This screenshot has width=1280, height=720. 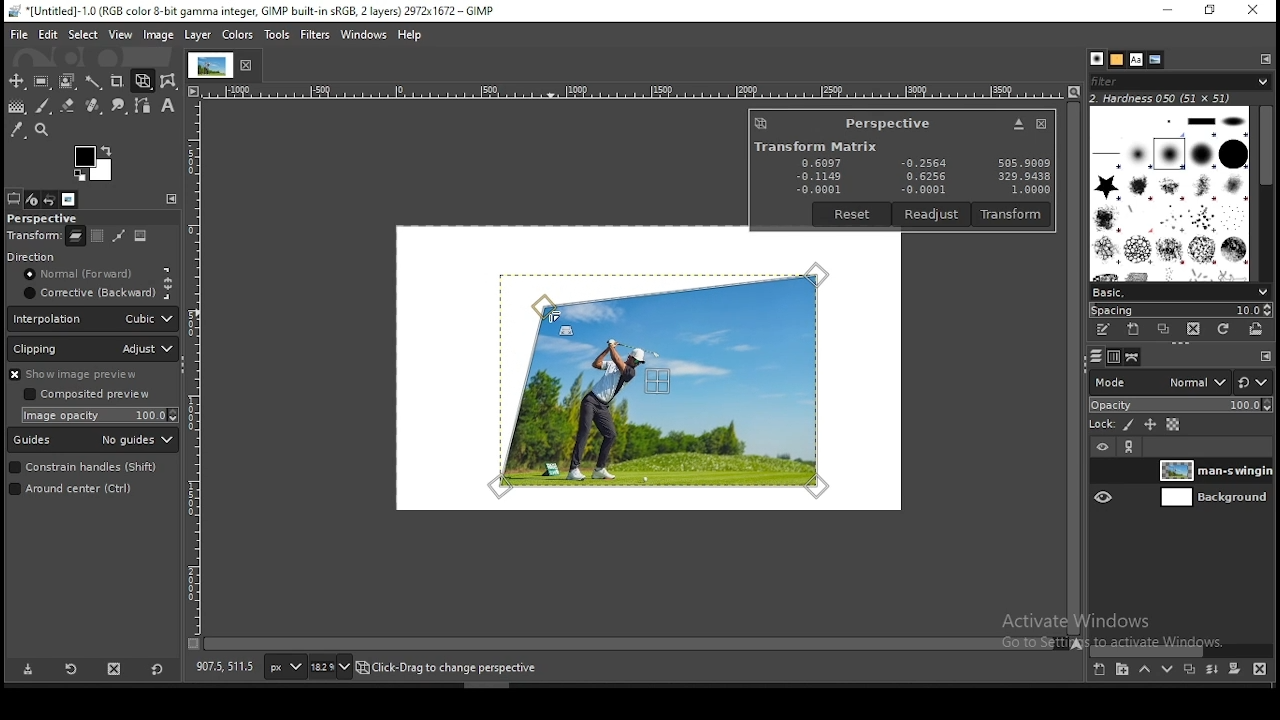 What do you see at coordinates (1170, 194) in the screenshot?
I see `brushes` at bounding box center [1170, 194].